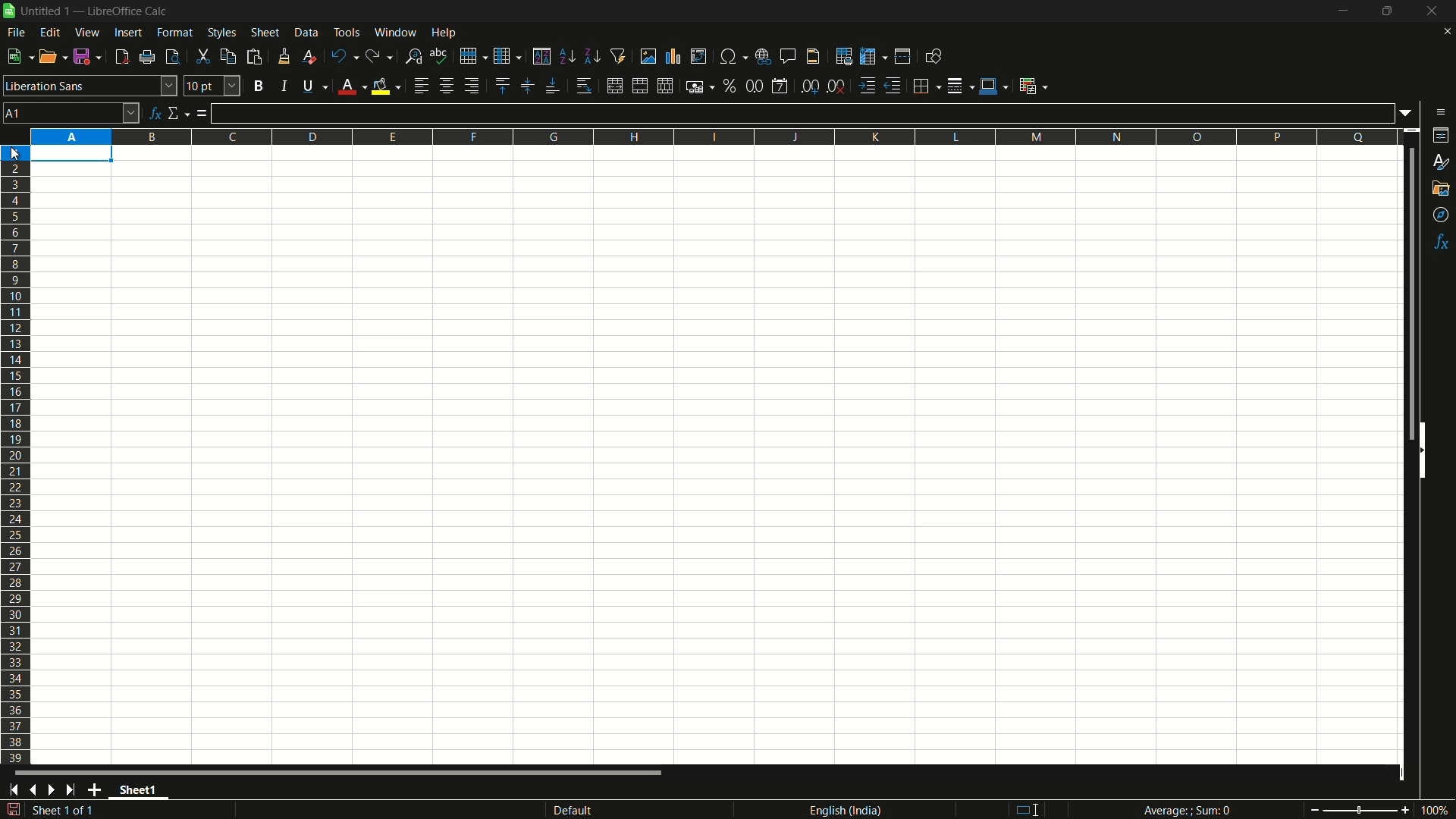 The width and height of the screenshot is (1456, 819). What do you see at coordinates (222, 33) in the screenshot?
I see `styles menu` at bounding box center [222, 33].